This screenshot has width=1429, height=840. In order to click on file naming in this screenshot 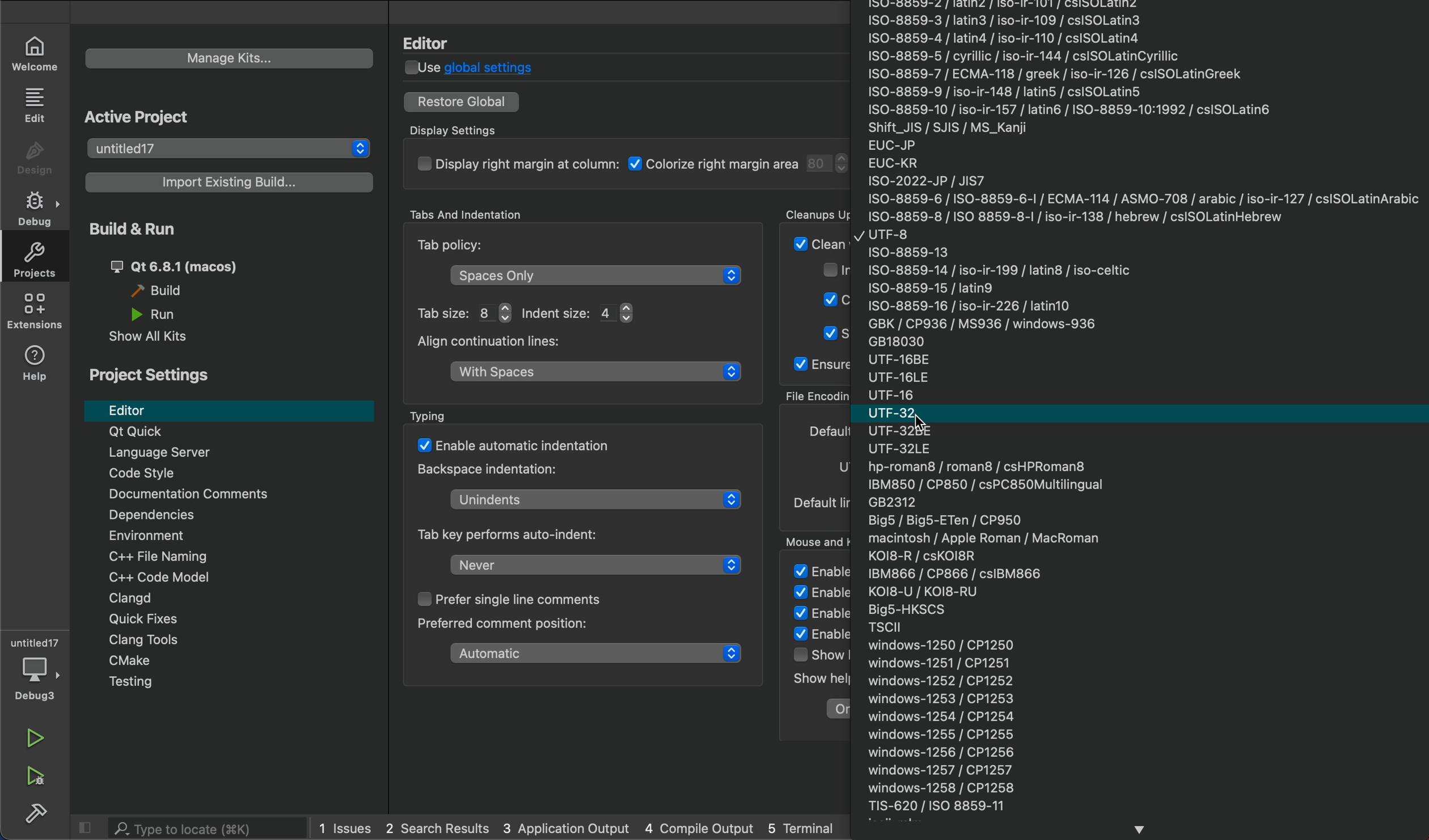, I will do `click(218, 554)`.